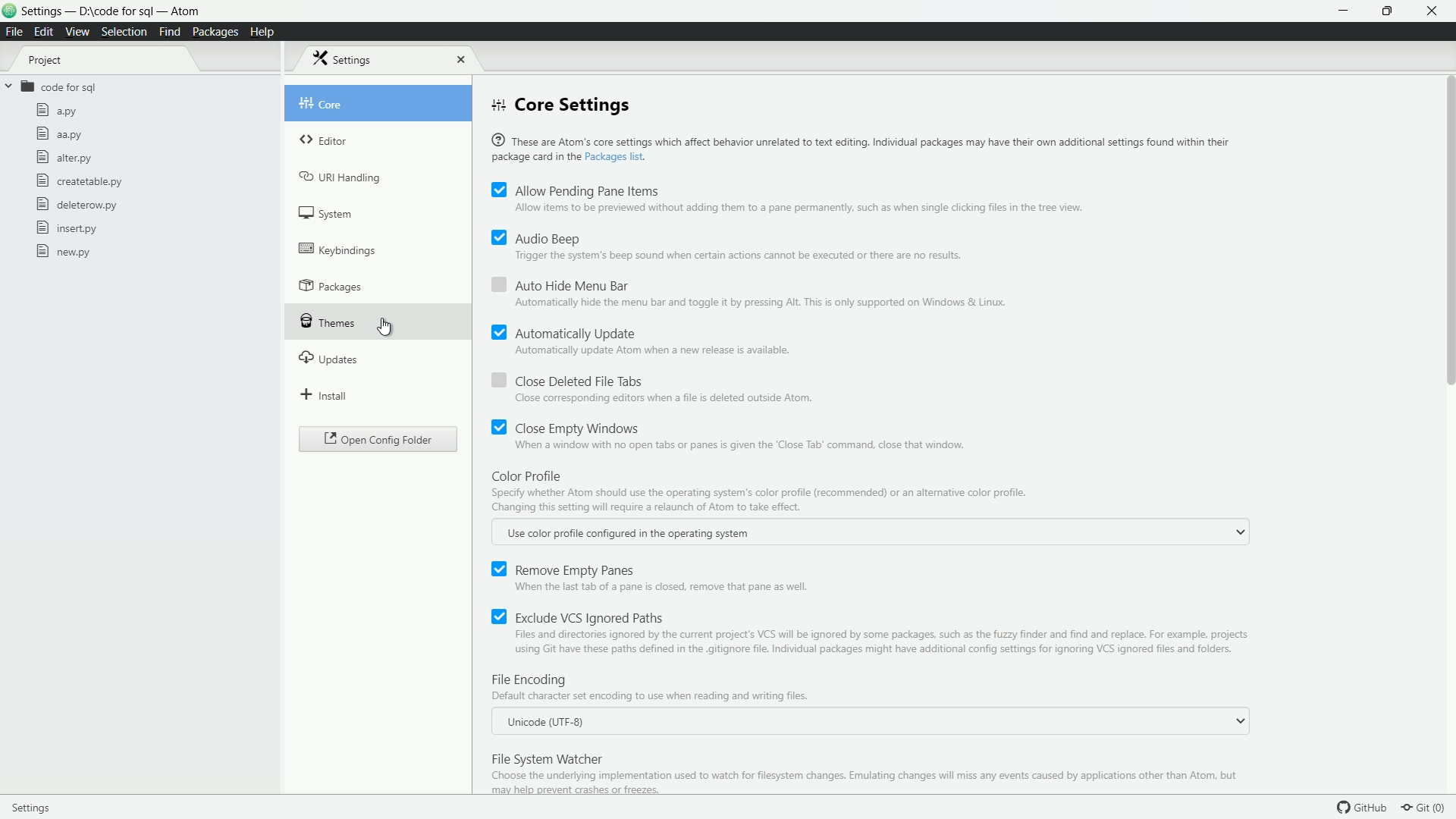 The width and height of the screenshot is (1456, 819). What do you see at coordinates (651, 698) in the screenshot?
I see `default character set encoding to use when reading and writing files. ` at bounding box center [651, 698].